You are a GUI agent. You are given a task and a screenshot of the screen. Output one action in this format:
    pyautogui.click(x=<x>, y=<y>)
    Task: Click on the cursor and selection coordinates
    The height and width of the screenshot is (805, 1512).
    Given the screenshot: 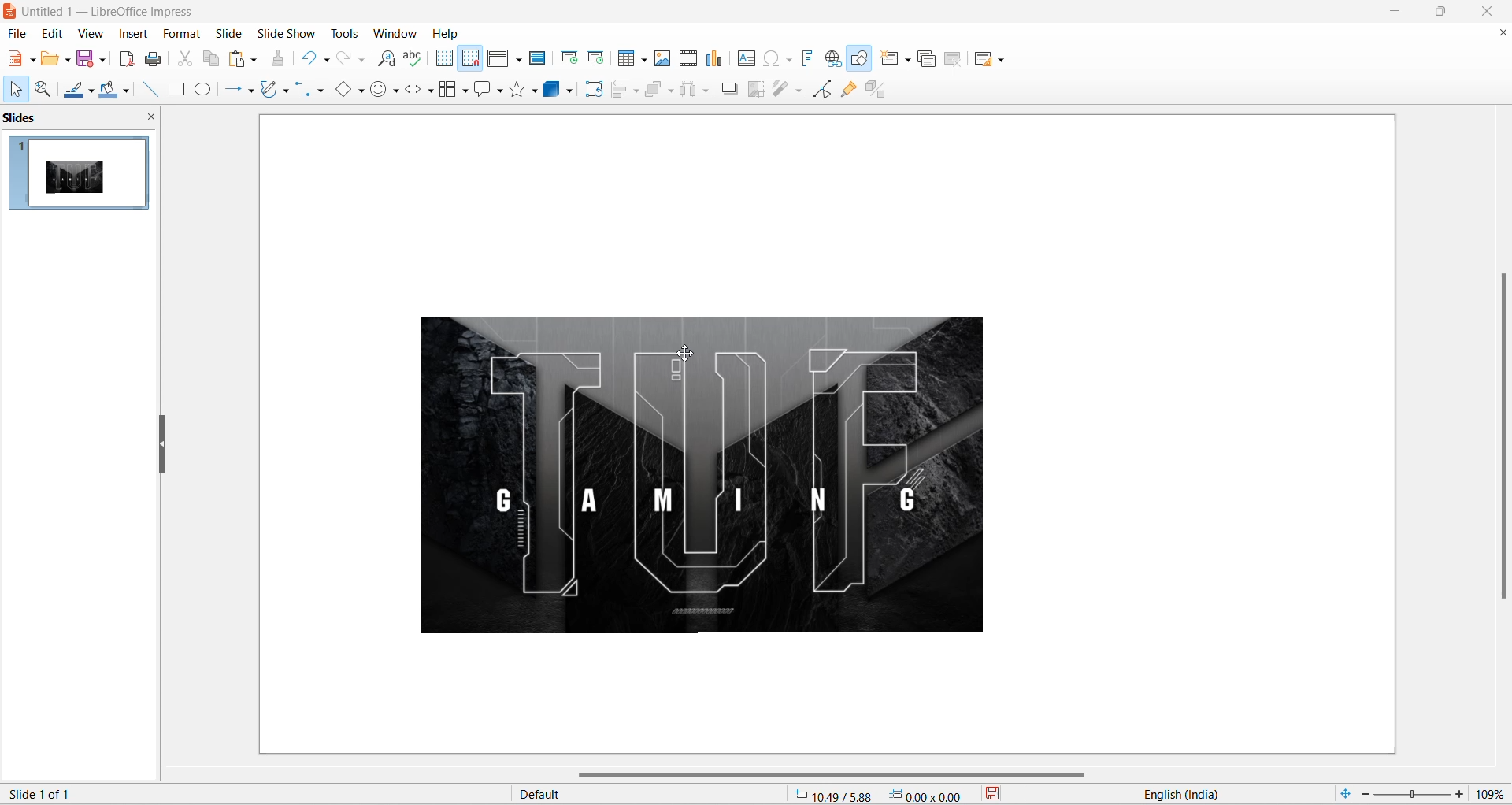 What is the action you would take?
    pyautogui.click(x=884, y=795)
    